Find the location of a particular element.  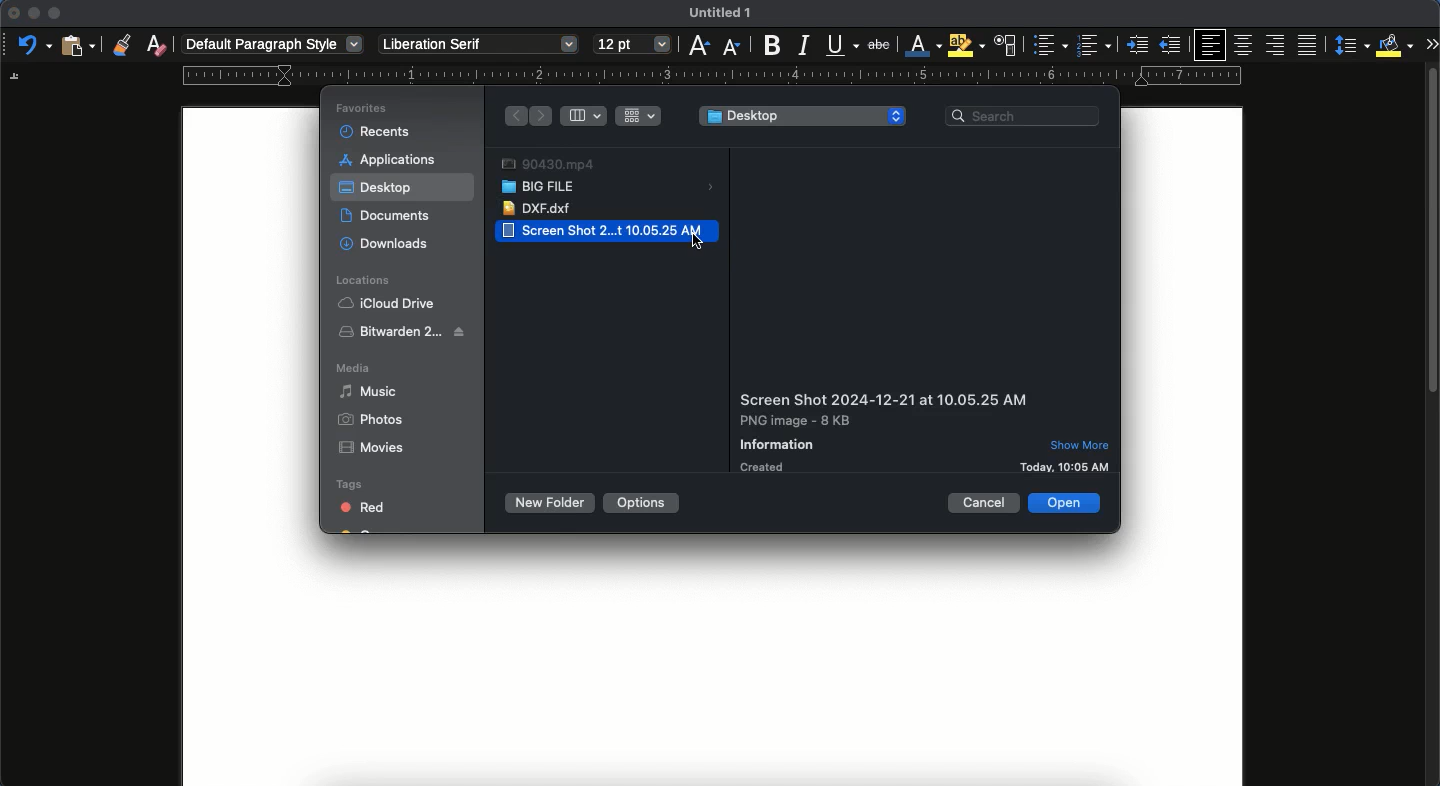

underline is located at coordinates (841, 44).